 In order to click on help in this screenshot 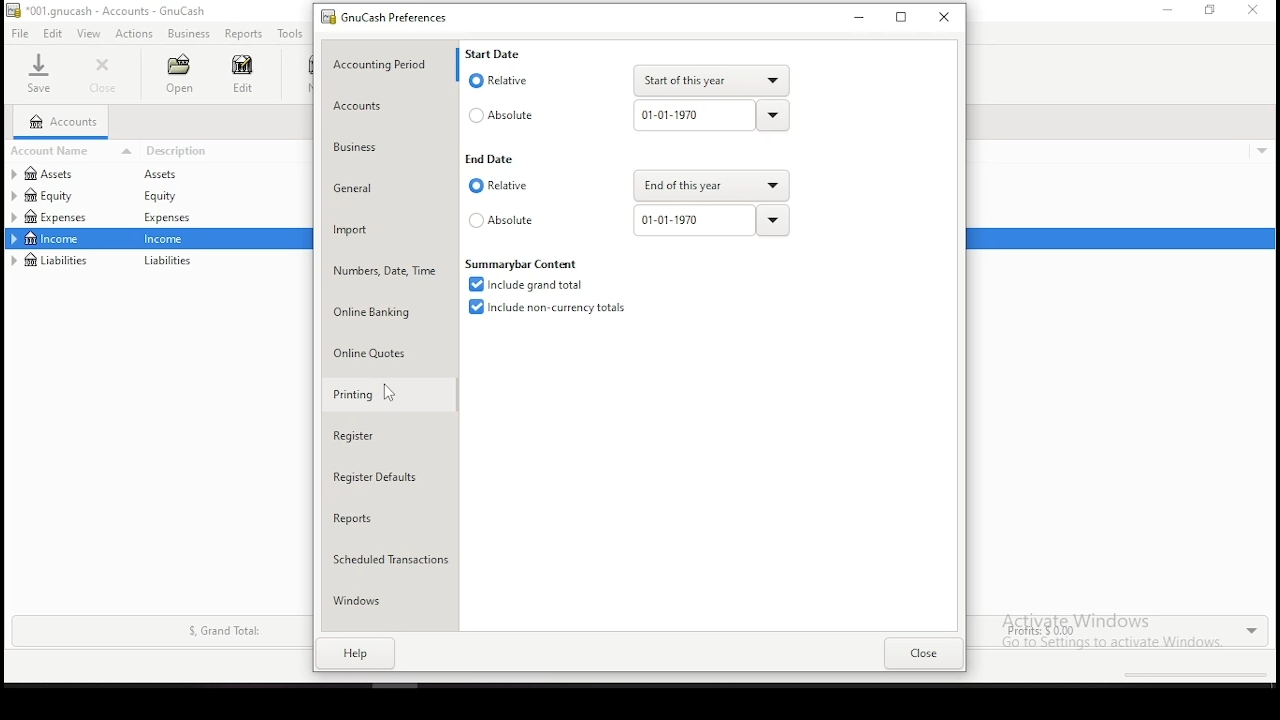, I will do `click(357, 652)`.